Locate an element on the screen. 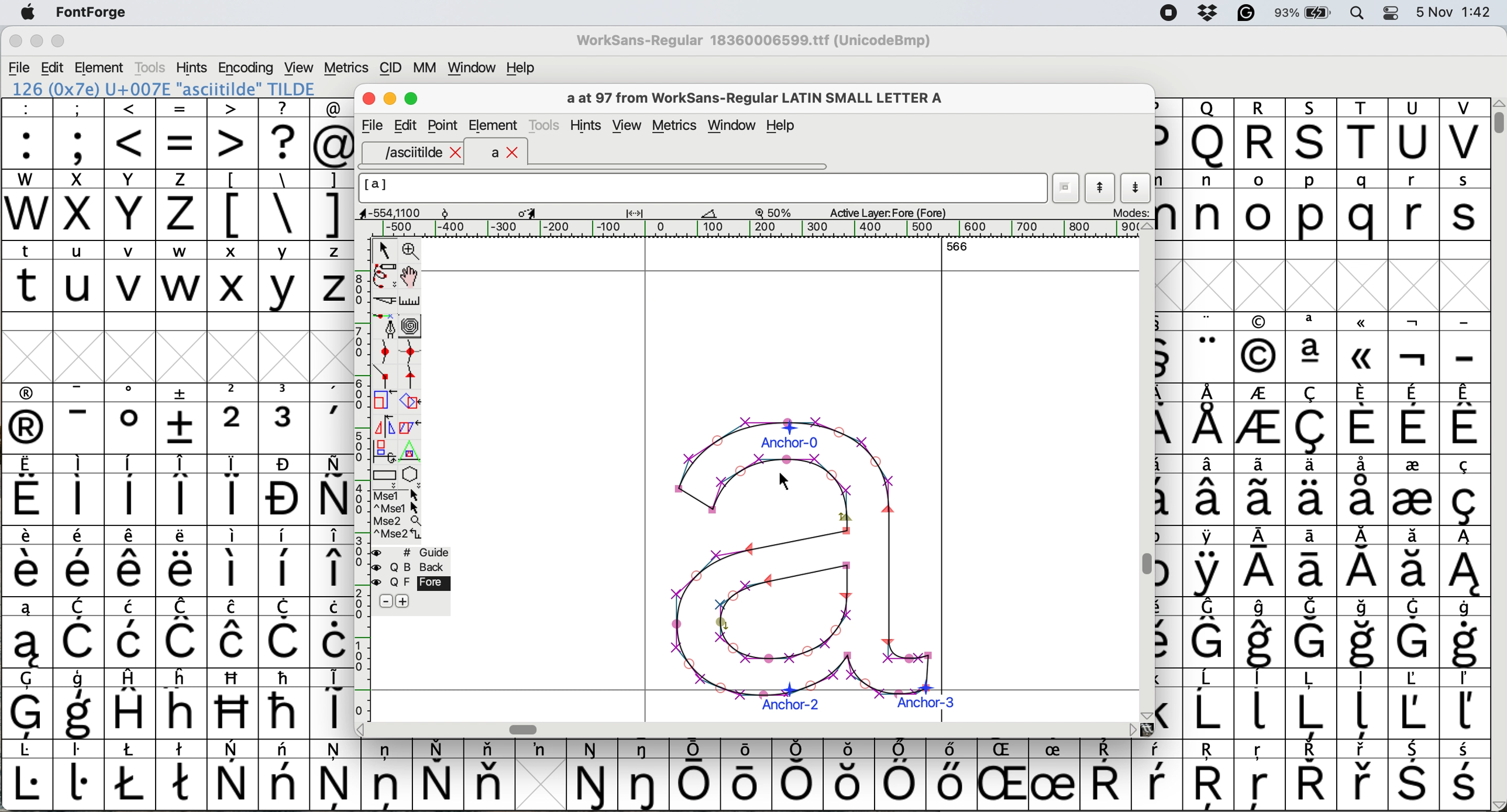 The image size is (1507, 812). symbol is located at coordinates (1310, 775).